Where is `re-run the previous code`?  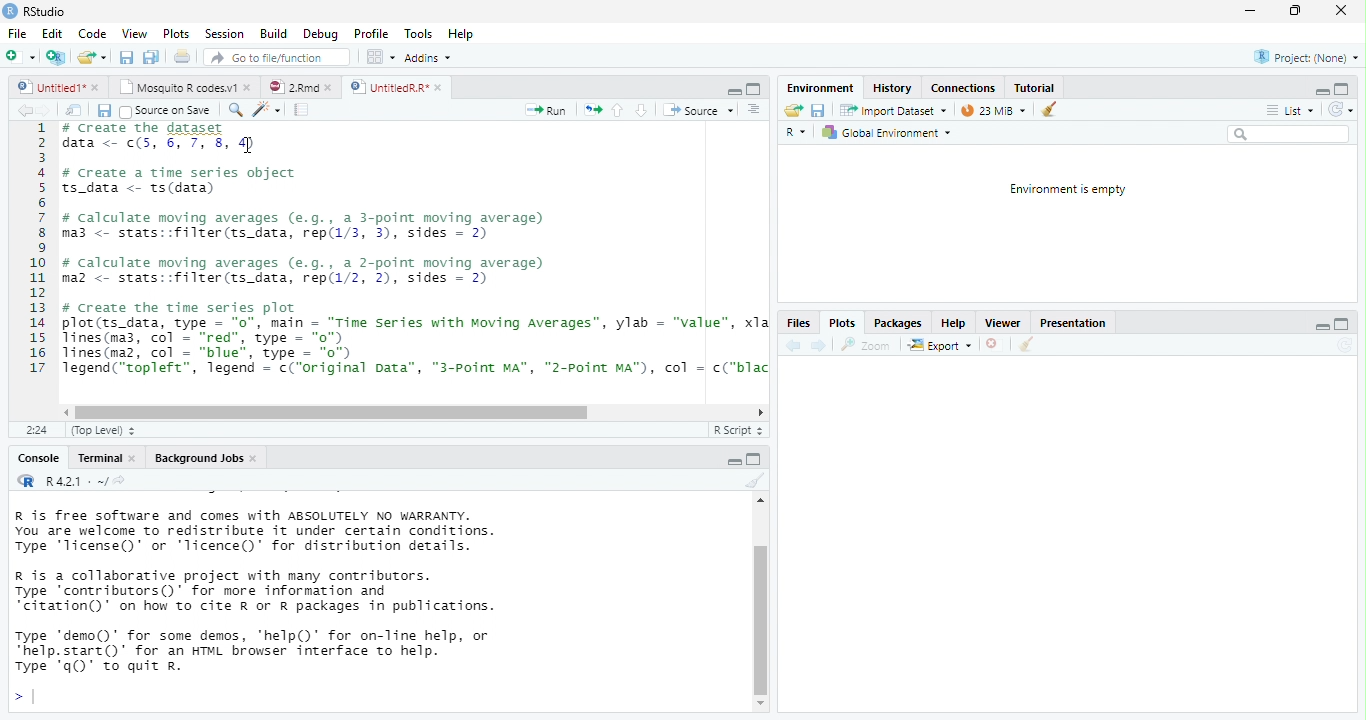 re-run the previous code is located at coordinates (593, 110).